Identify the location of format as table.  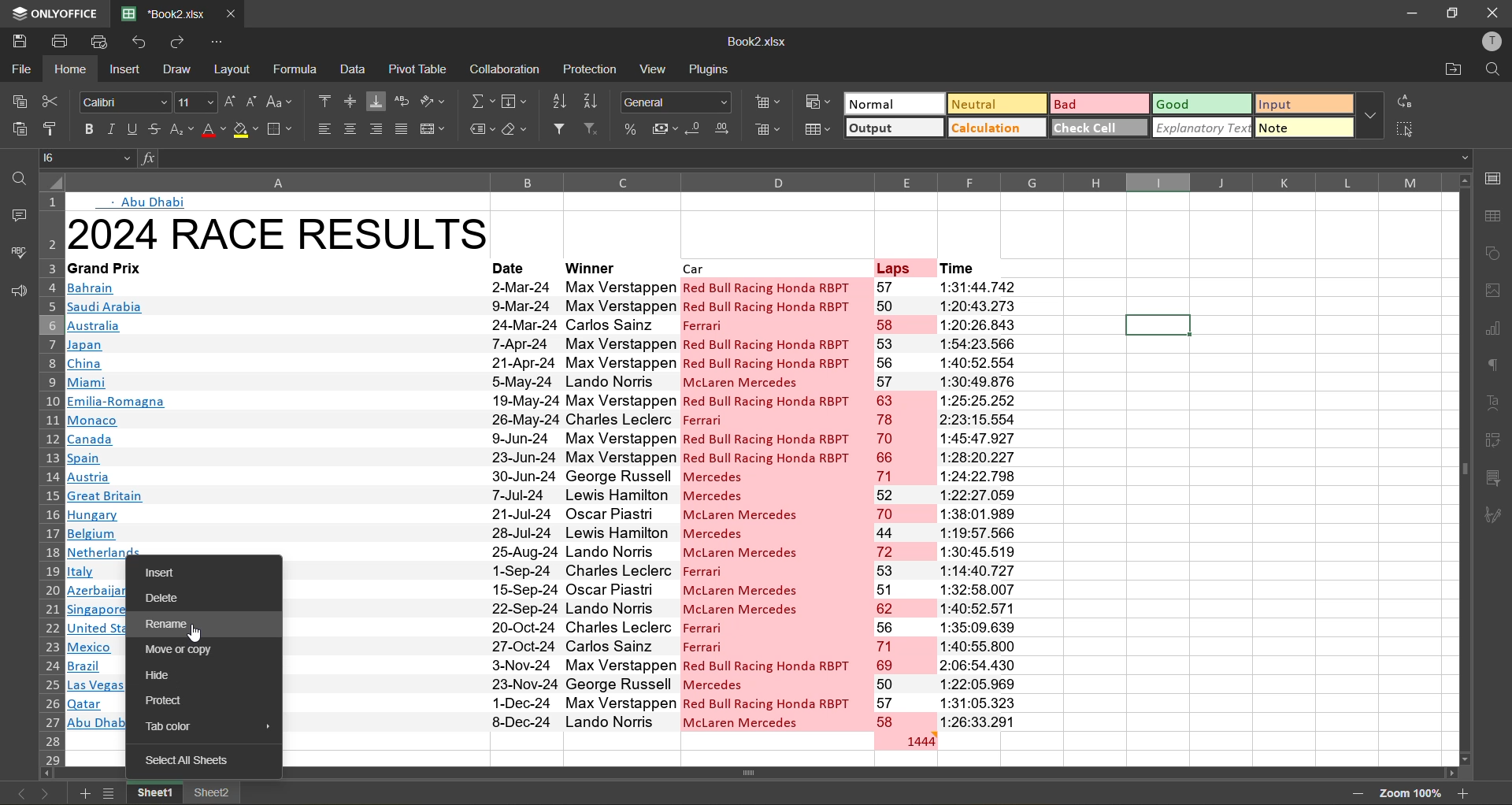
(816, 129).